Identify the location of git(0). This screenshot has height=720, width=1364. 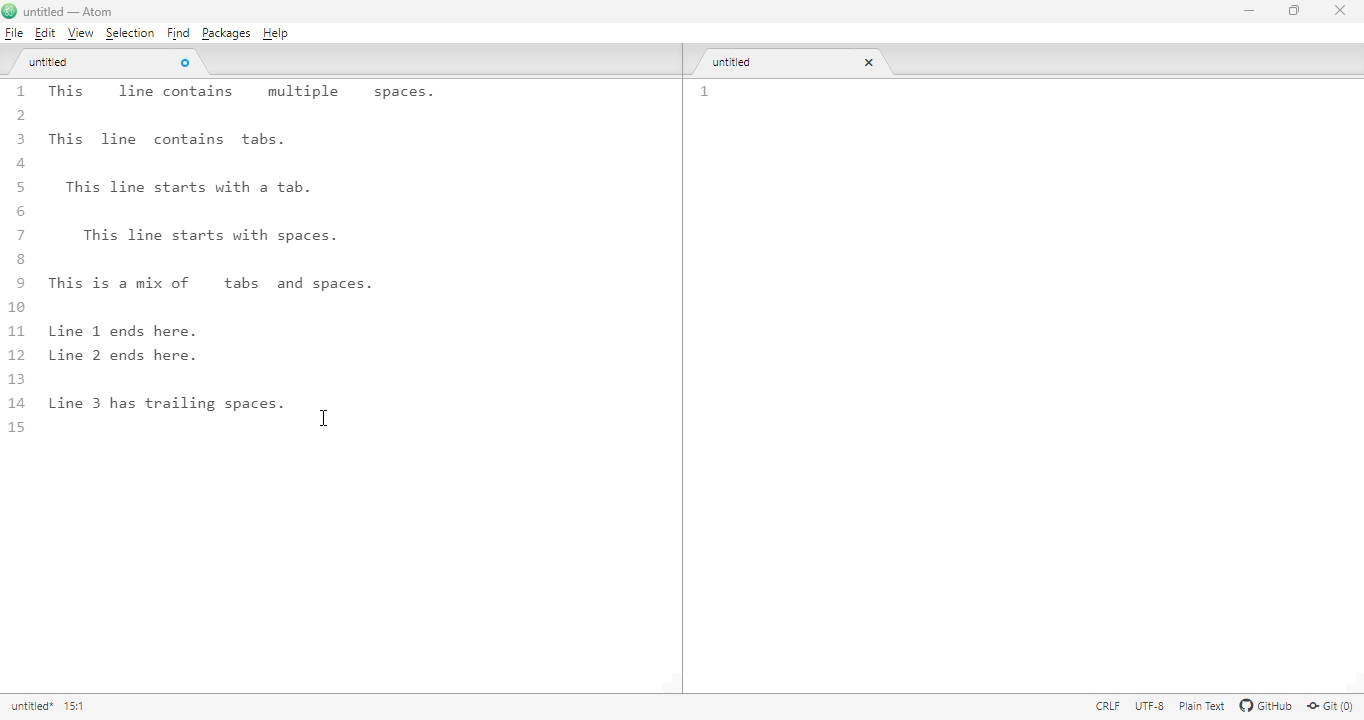
(1330, 707).